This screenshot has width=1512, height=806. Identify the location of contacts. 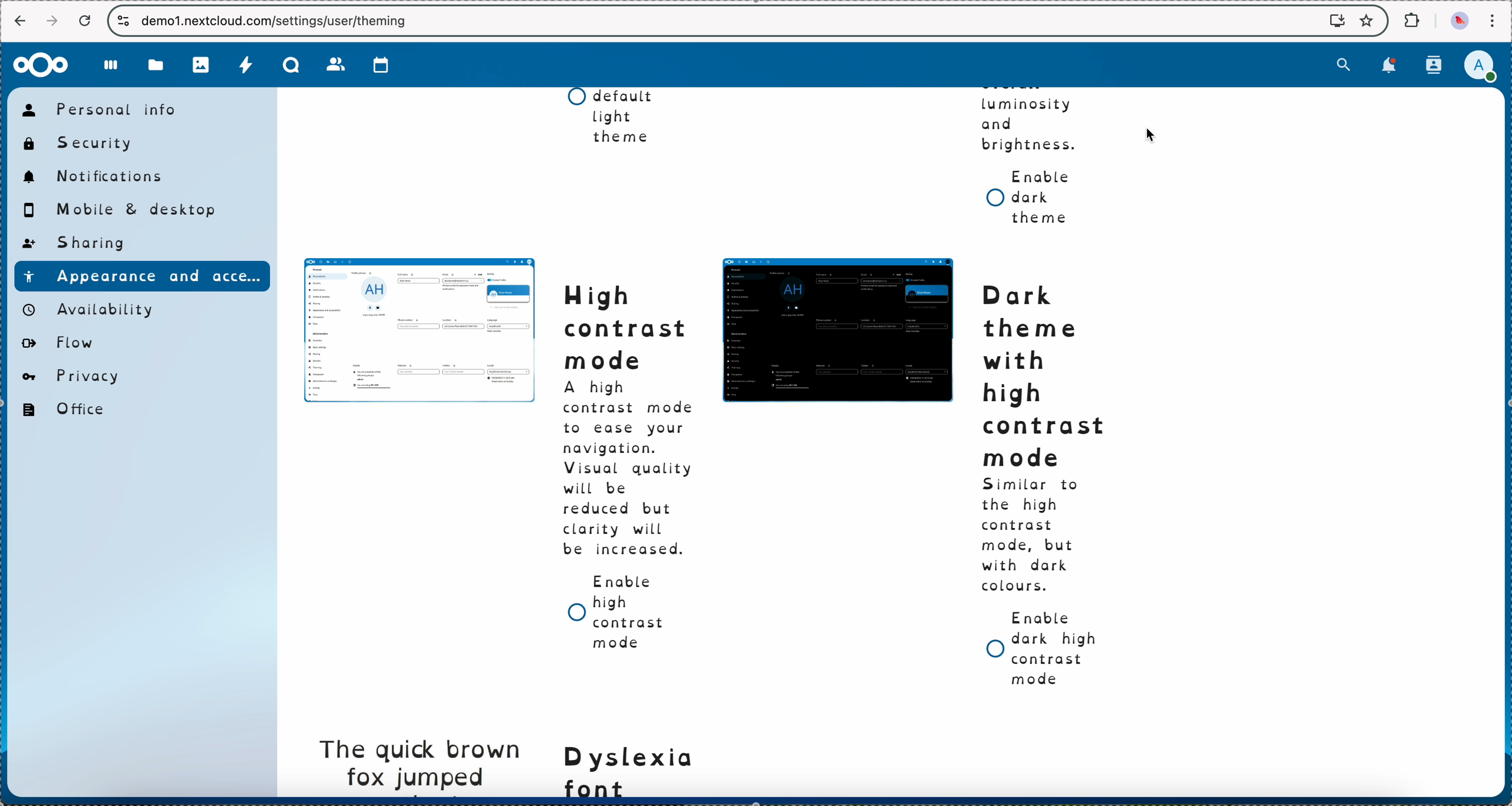
(1433, 65).